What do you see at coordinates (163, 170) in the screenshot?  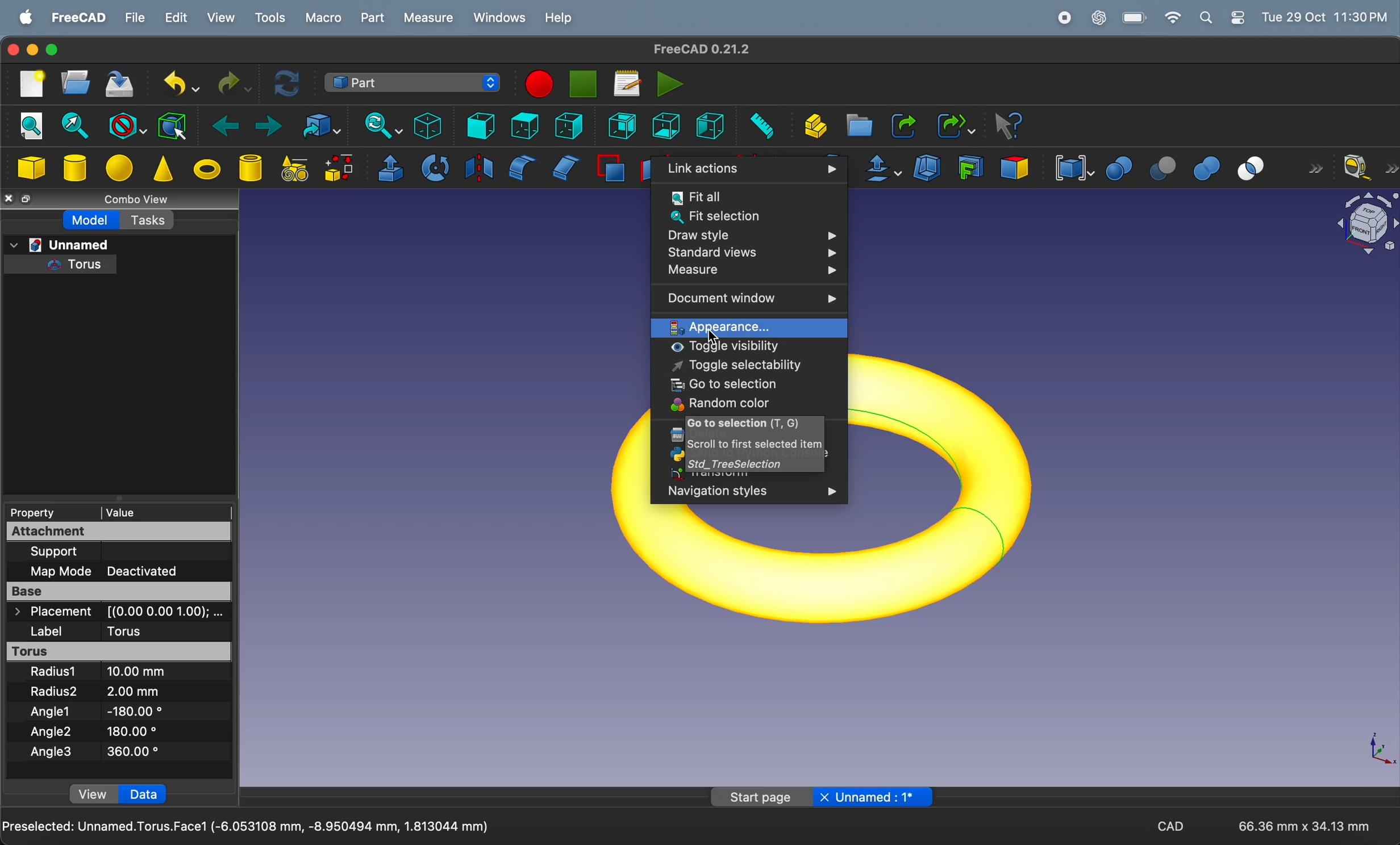 I see `cone` at bounding box center [163, 170].